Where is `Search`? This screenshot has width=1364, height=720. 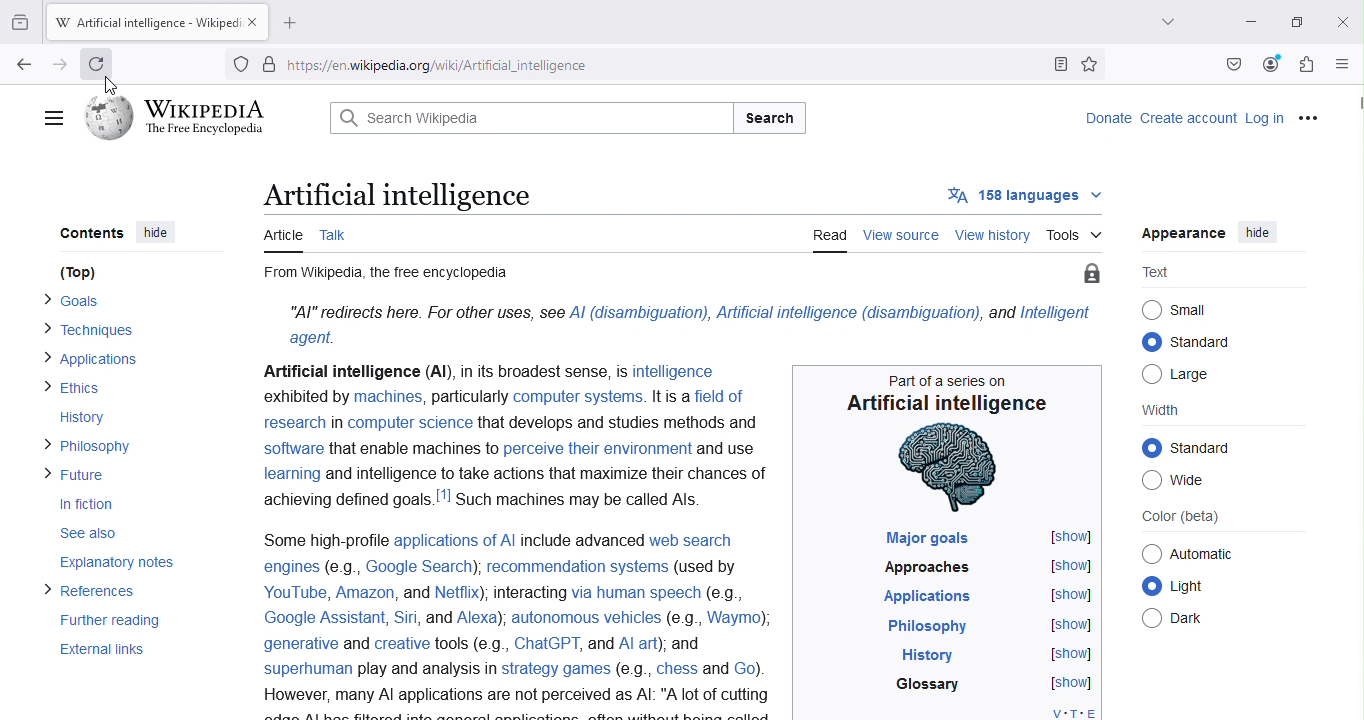
Search is located at coordinates (772, 118).